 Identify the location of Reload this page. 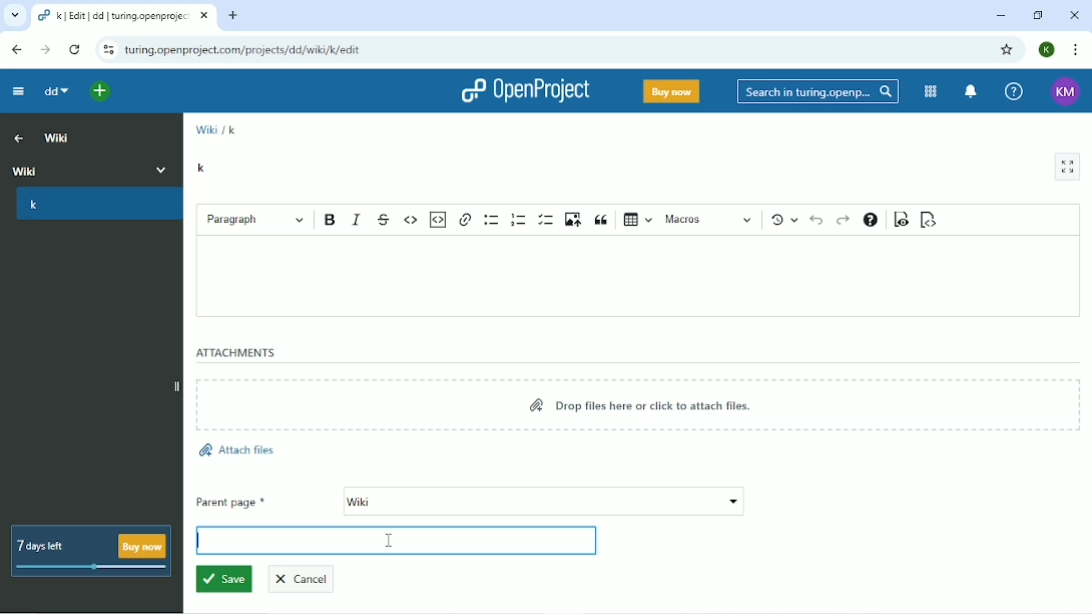
(74, 50).